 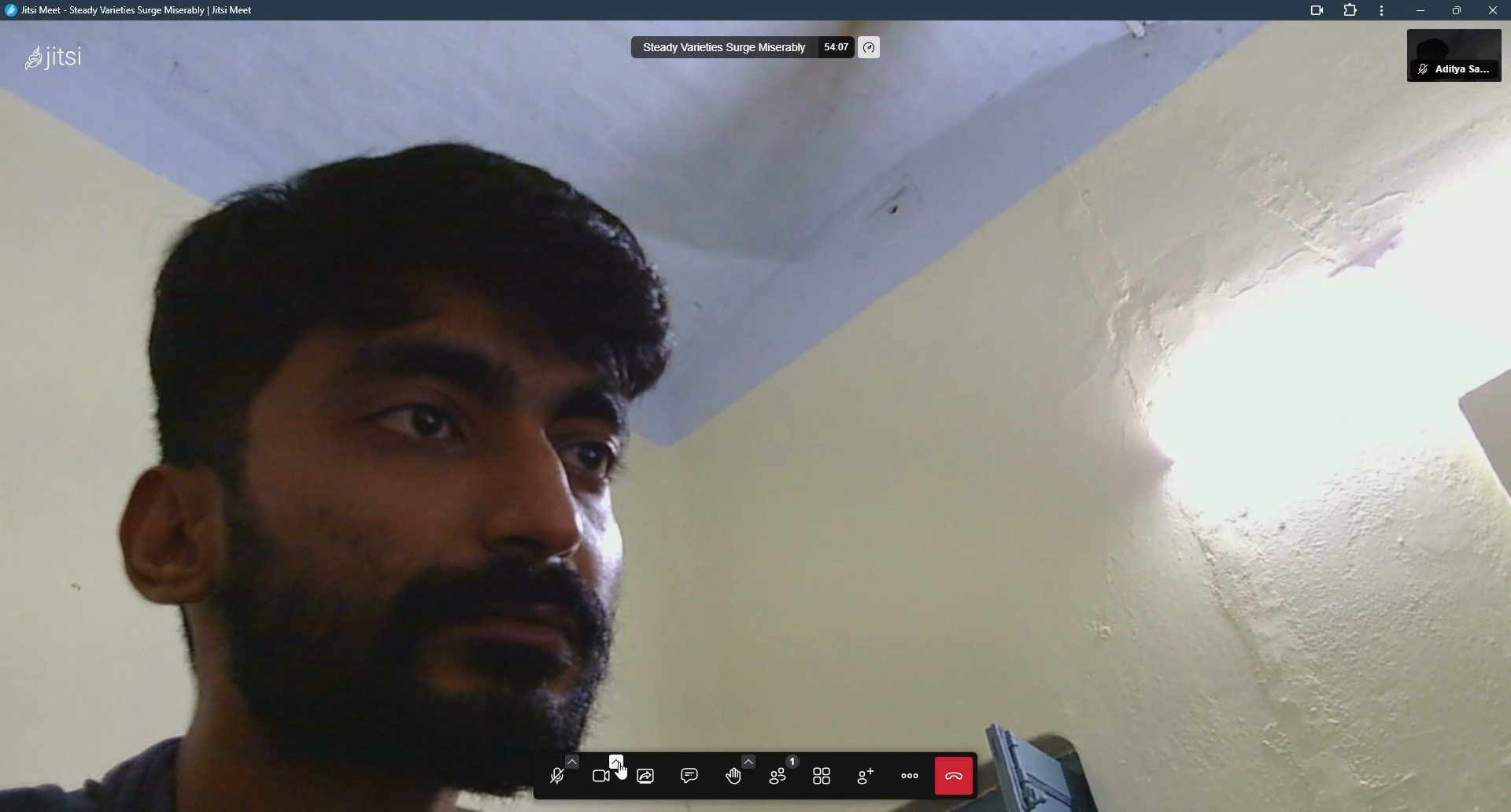 I want to click on jitsi, so click(x=132, y=14).